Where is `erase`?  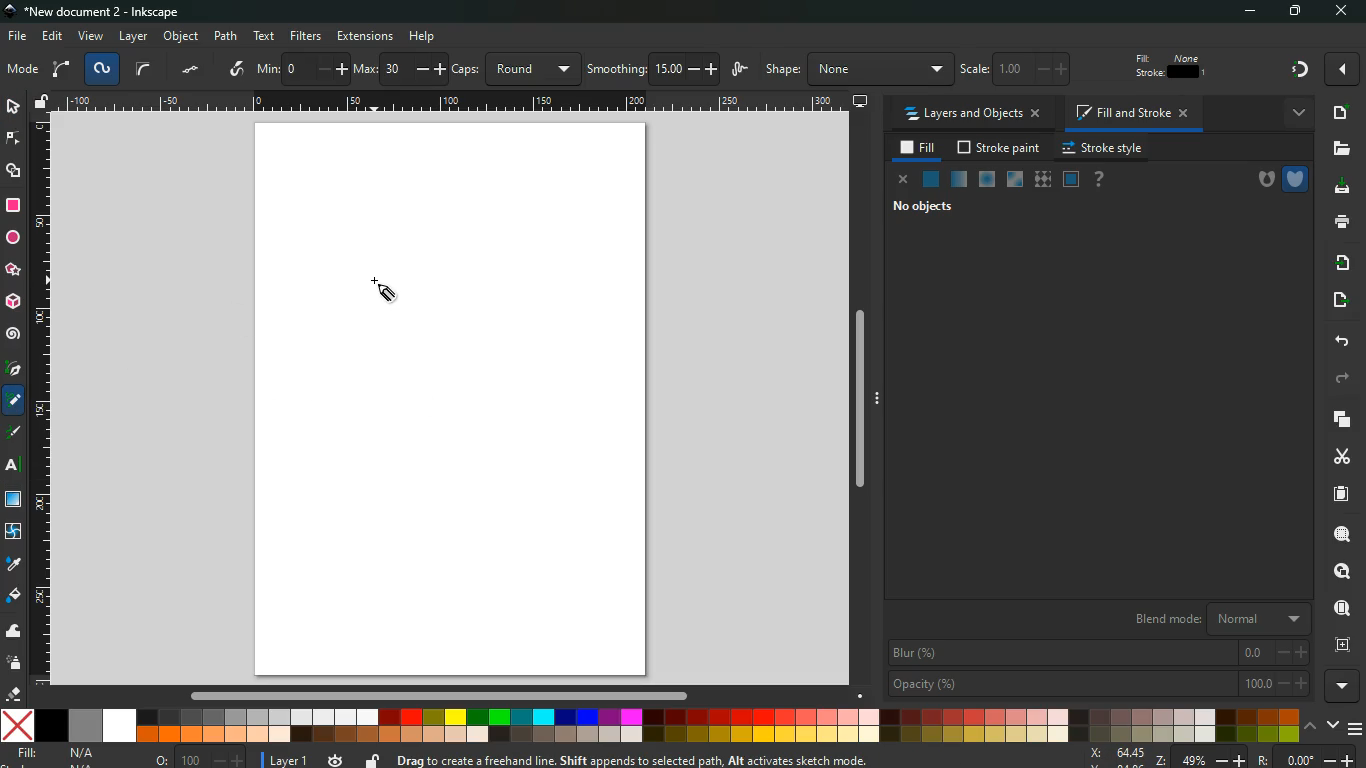
erase is located at coordinates (14, 695).